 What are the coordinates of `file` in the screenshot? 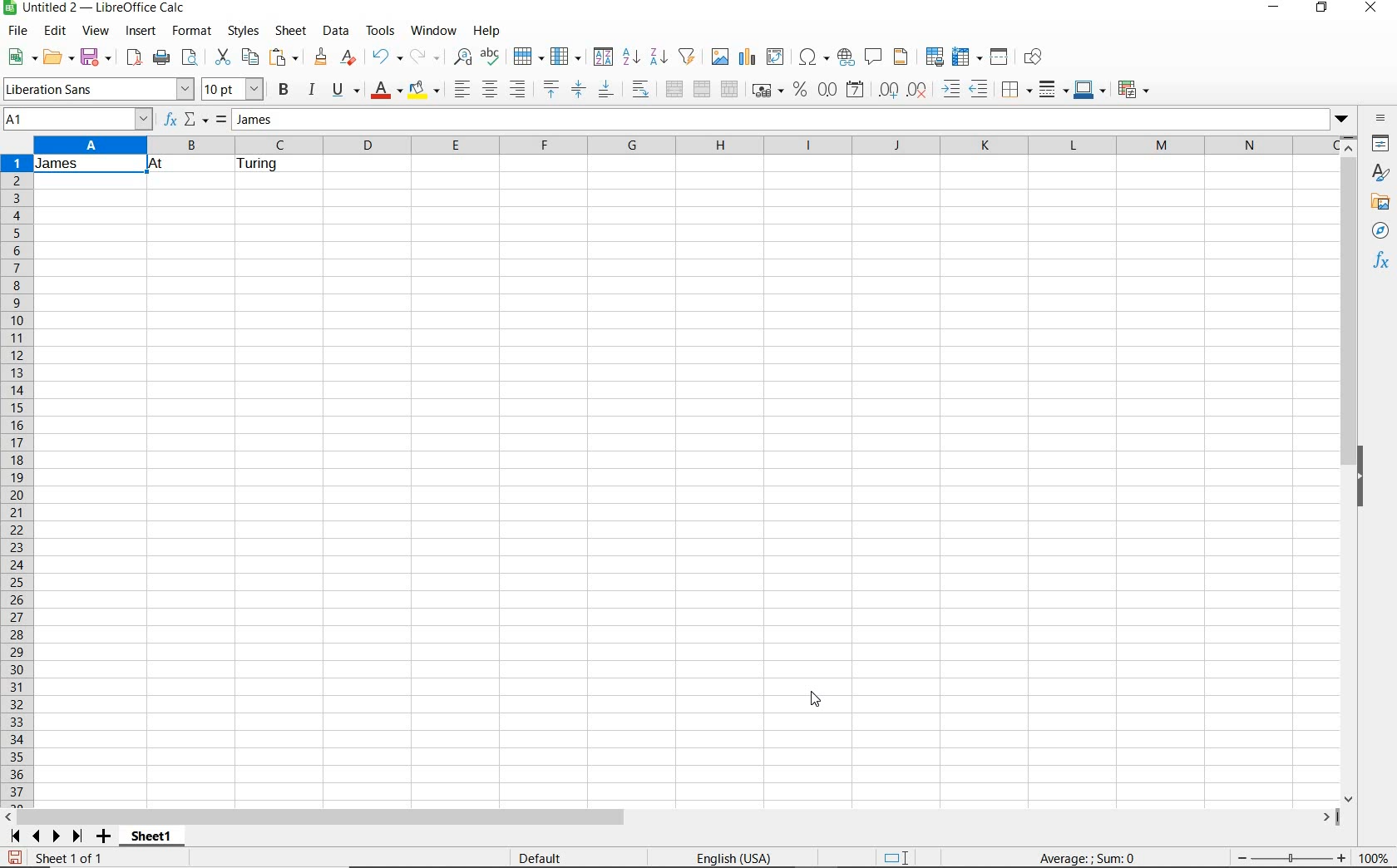 It's located at (16, 32).